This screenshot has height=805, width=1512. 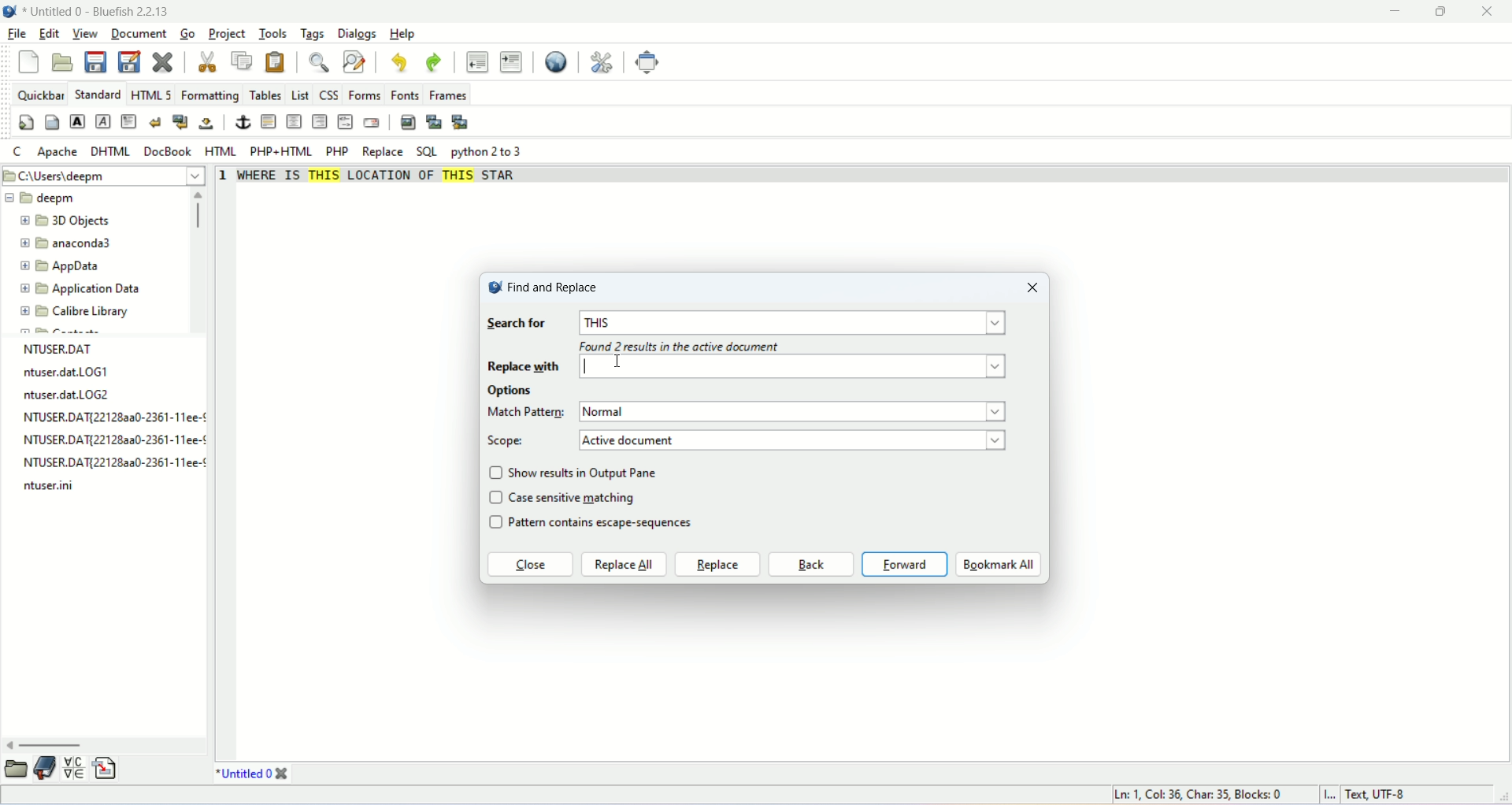 What do you see at coordinates (490, 152) in the screenshot?
I see `python 2 to 3` at bounding box center [490, 152].